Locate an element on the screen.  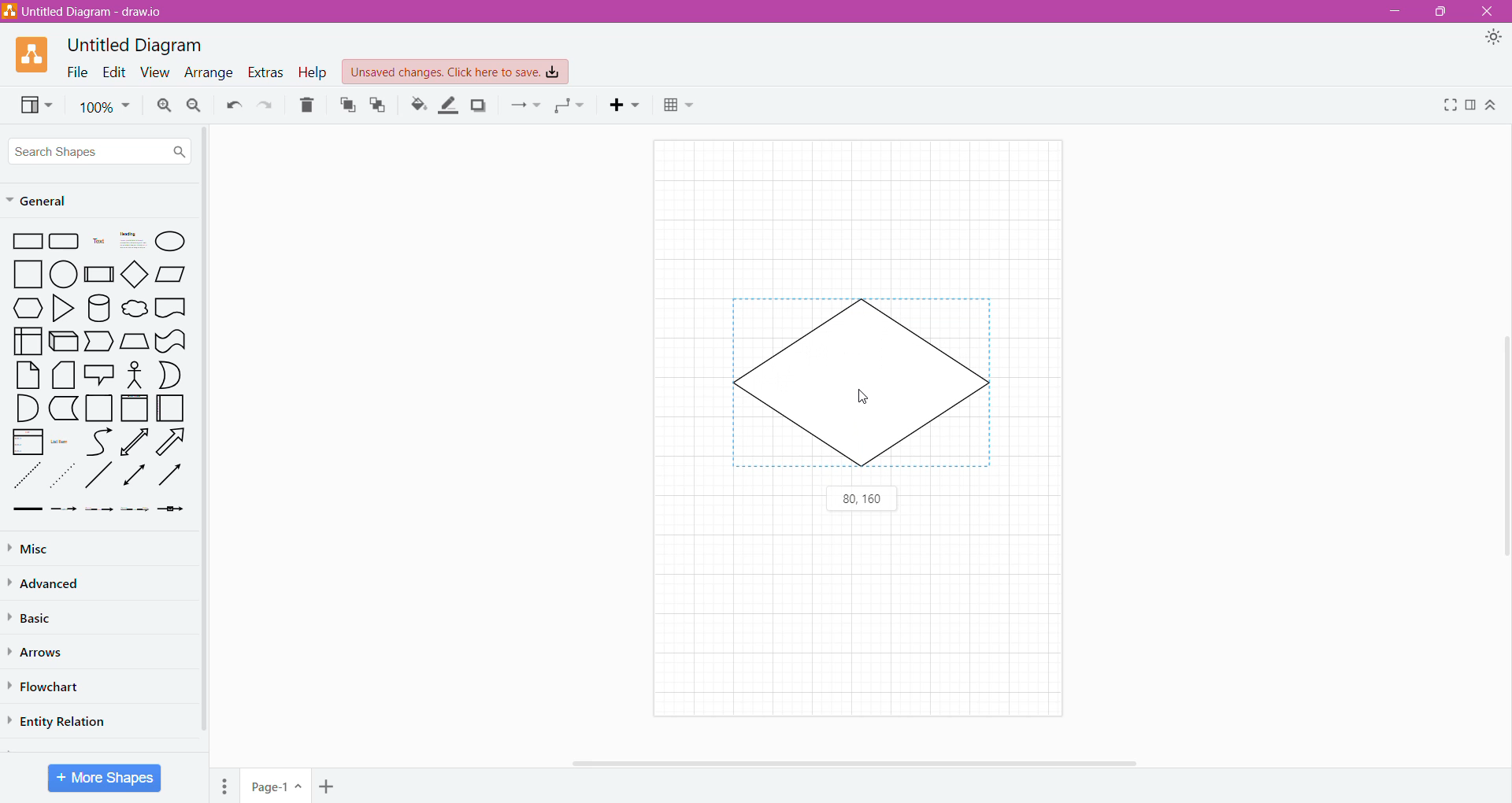
To Back is located at coordinates (379, 105).